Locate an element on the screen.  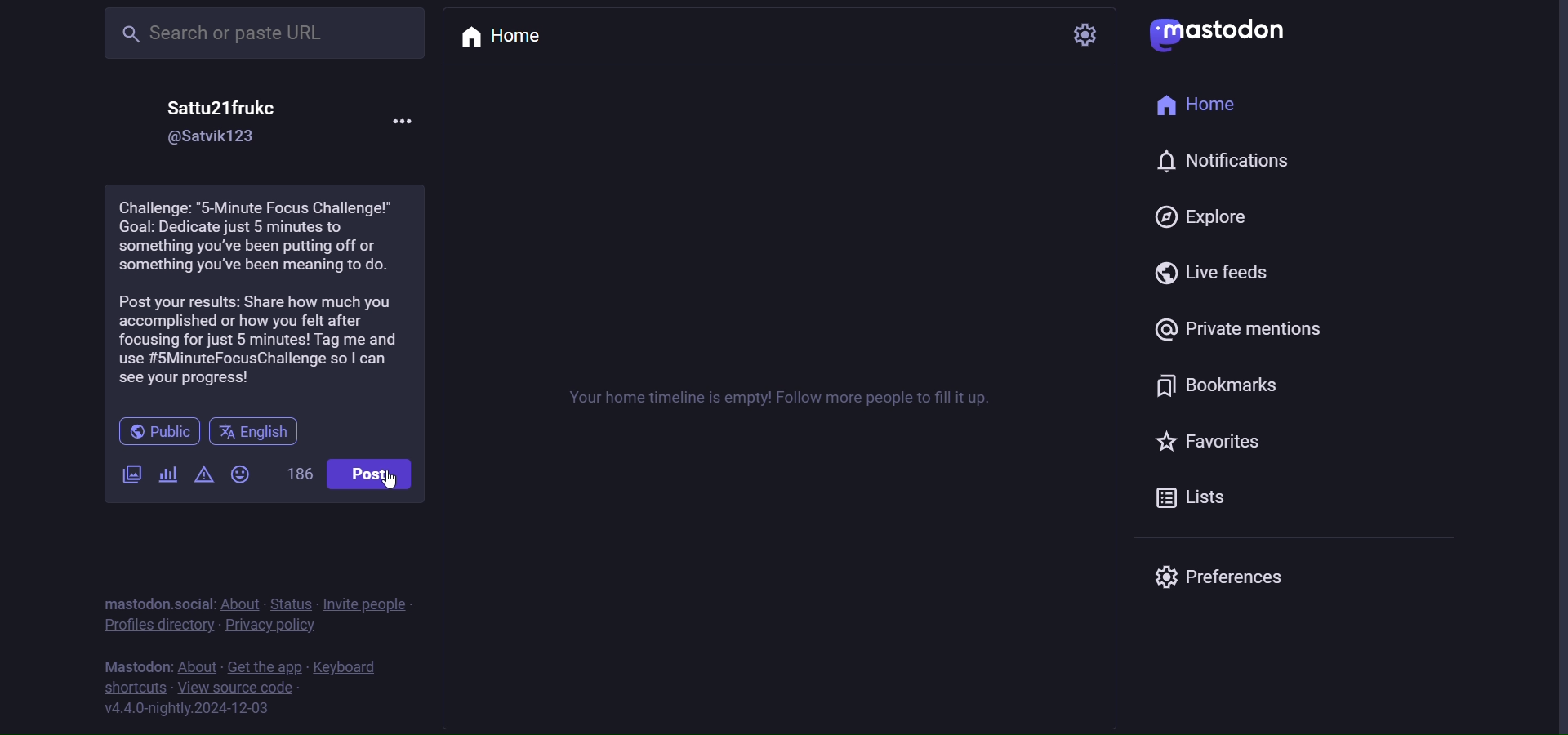
private mention is located at coordinates (1234, 327).